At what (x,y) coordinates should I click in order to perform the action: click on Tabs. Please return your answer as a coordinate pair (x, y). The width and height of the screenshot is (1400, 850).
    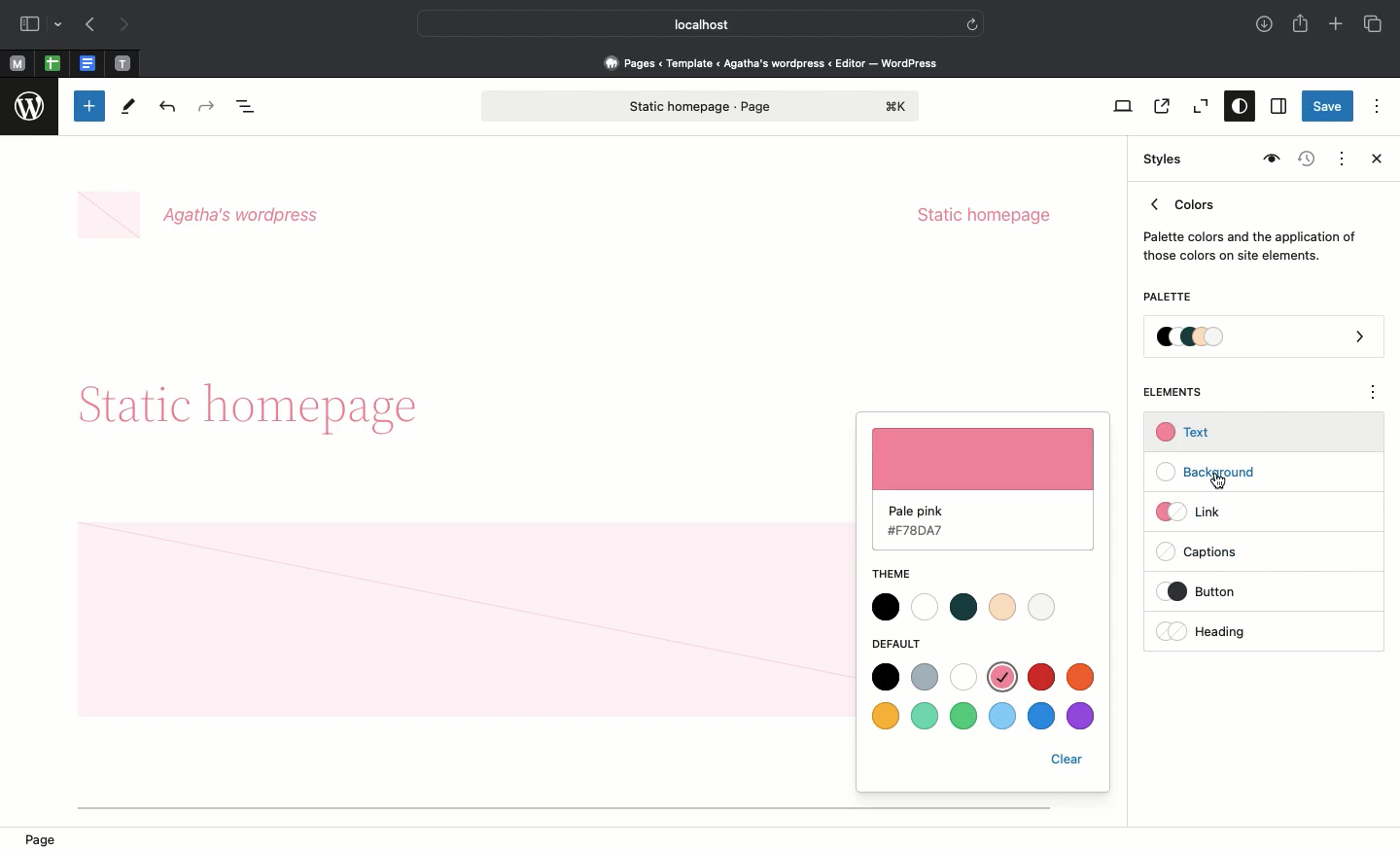
    Looking at the image, I should click on (1375, 24).